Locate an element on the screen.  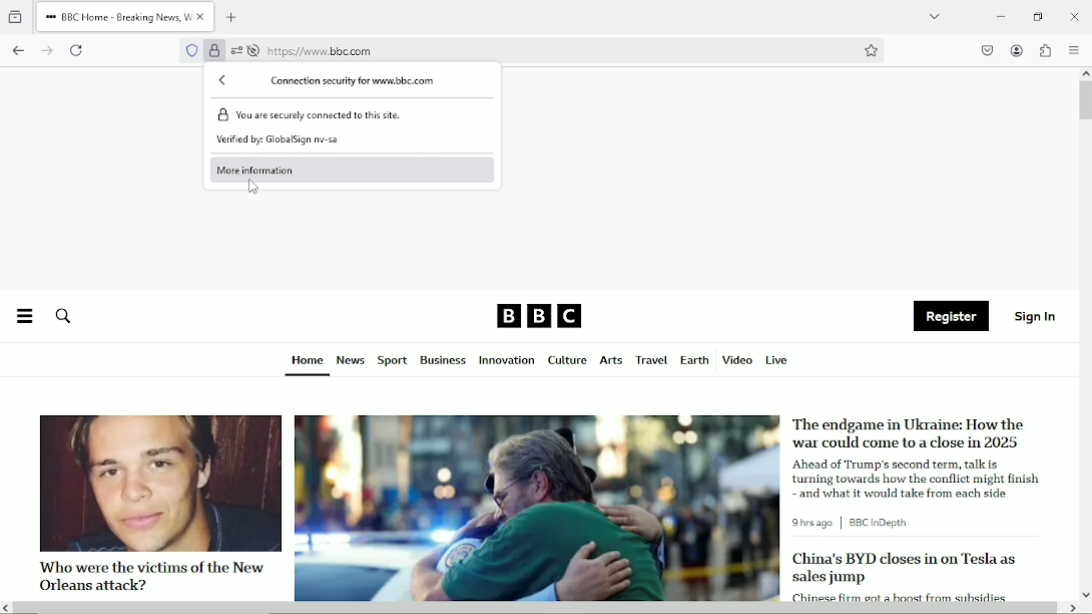
Minimize is located at coordinates (999, 16).